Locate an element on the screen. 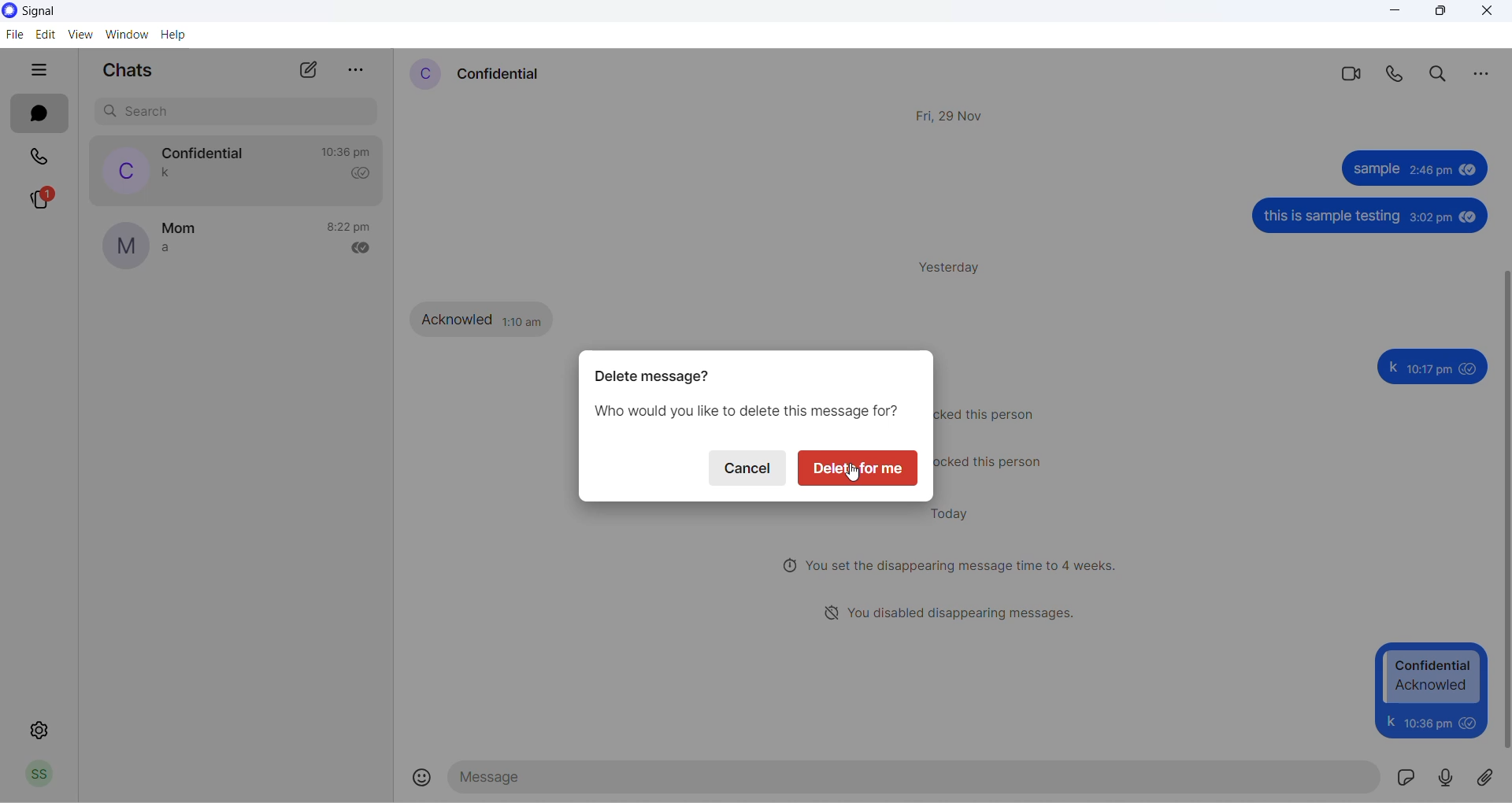 The width and height of the screenshot is (1512, 803). video call is located at coordinates (1349, 76).